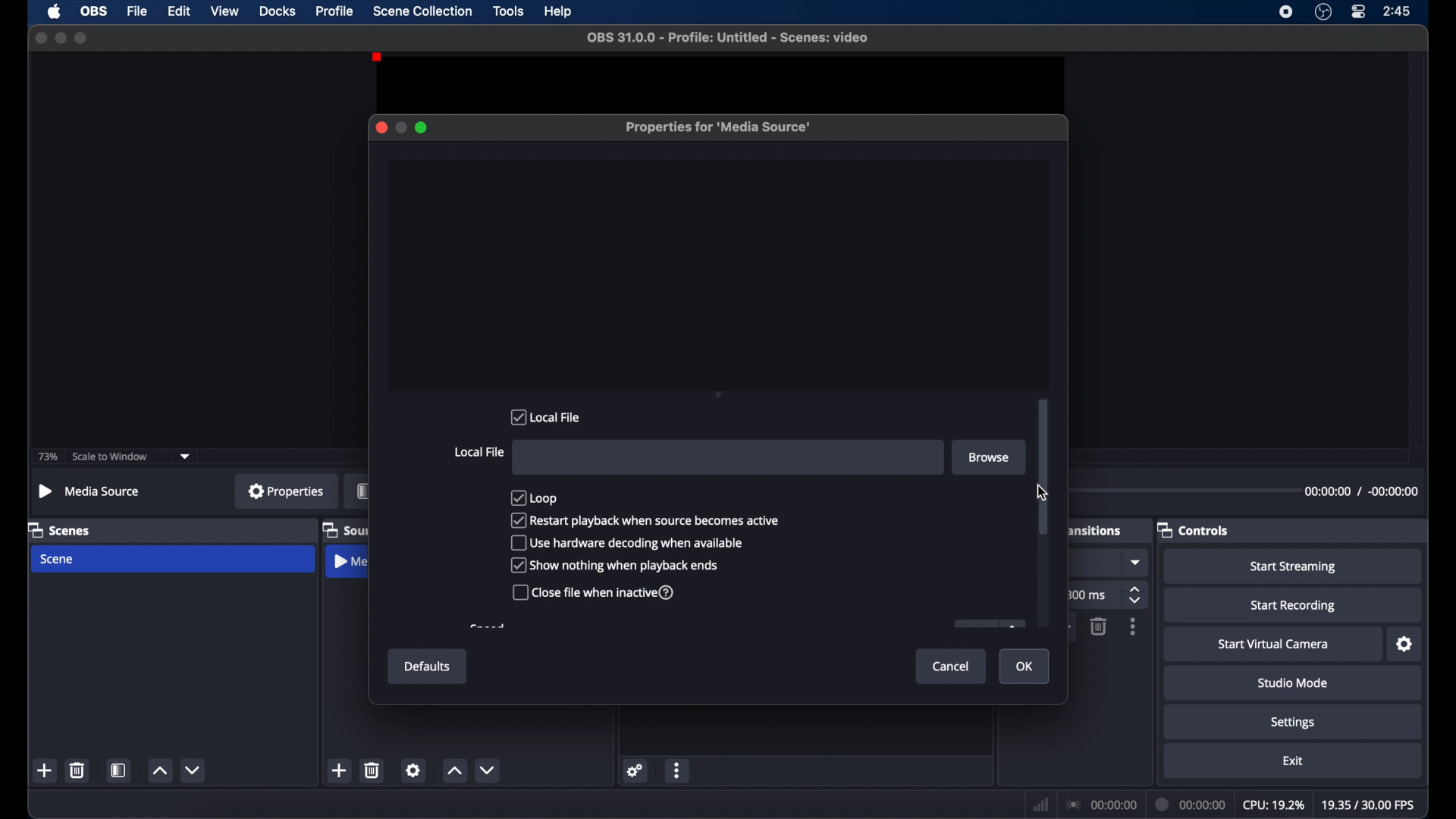 Image resolution: width=1456 pixels, height=819 pixels. What do you see at coordinates (159, 771) in the screenshot?
I see `increment` at bounding box center [159, 771].